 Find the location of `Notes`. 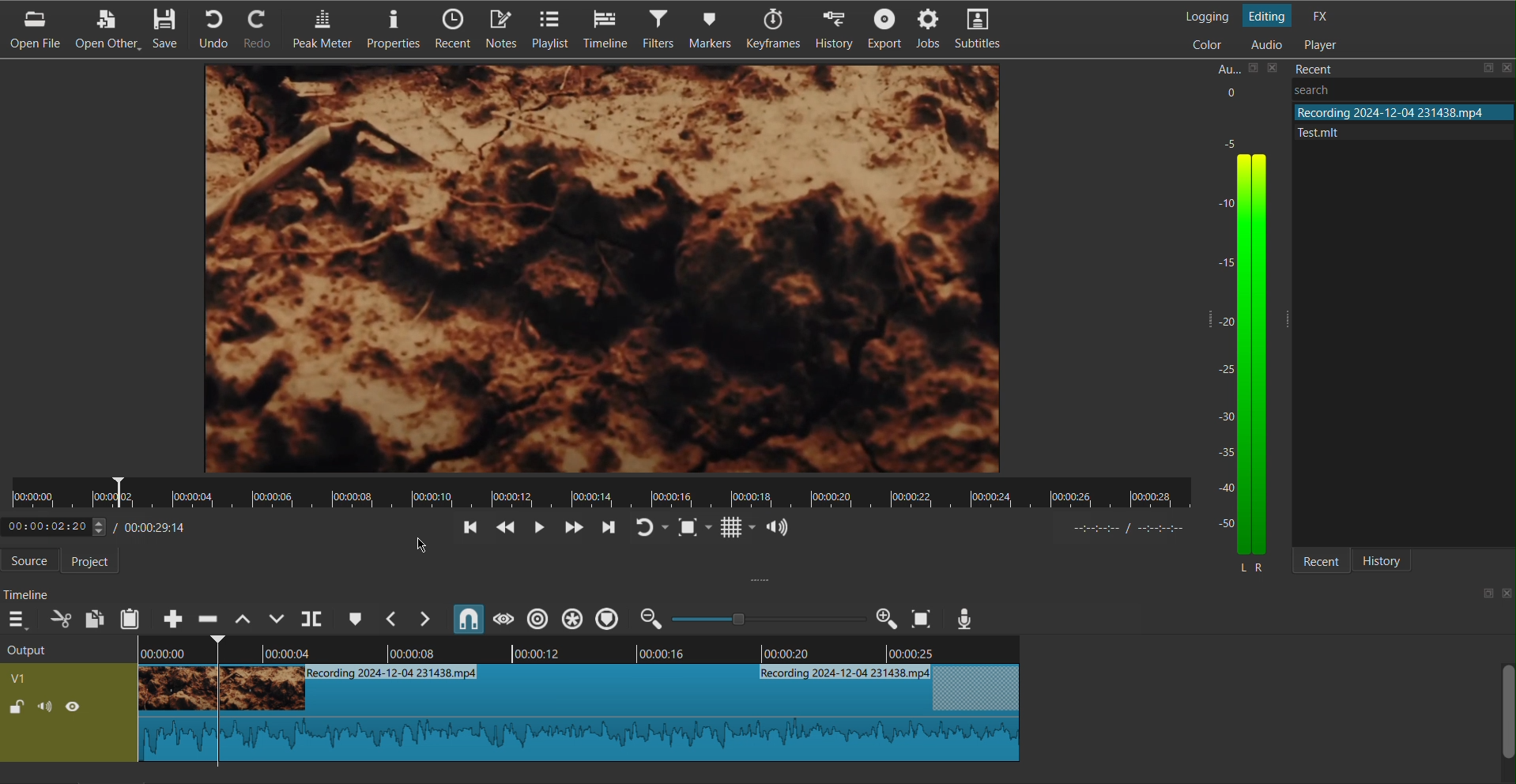

Notes is located at coordinates (503, 28).